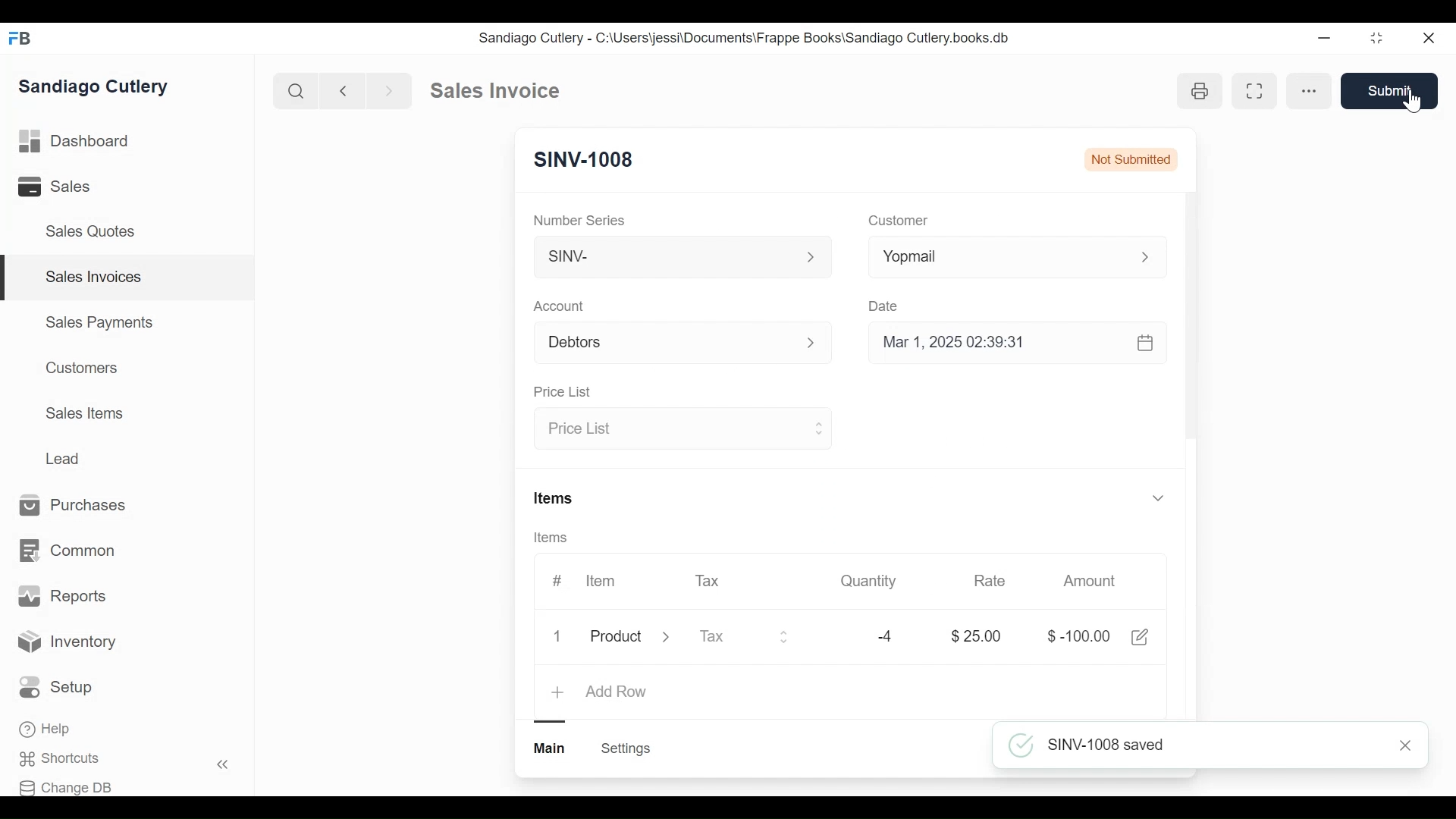  Describe the element at coordinates (60, 595) in the screenshot. I see `Reports` at that location.